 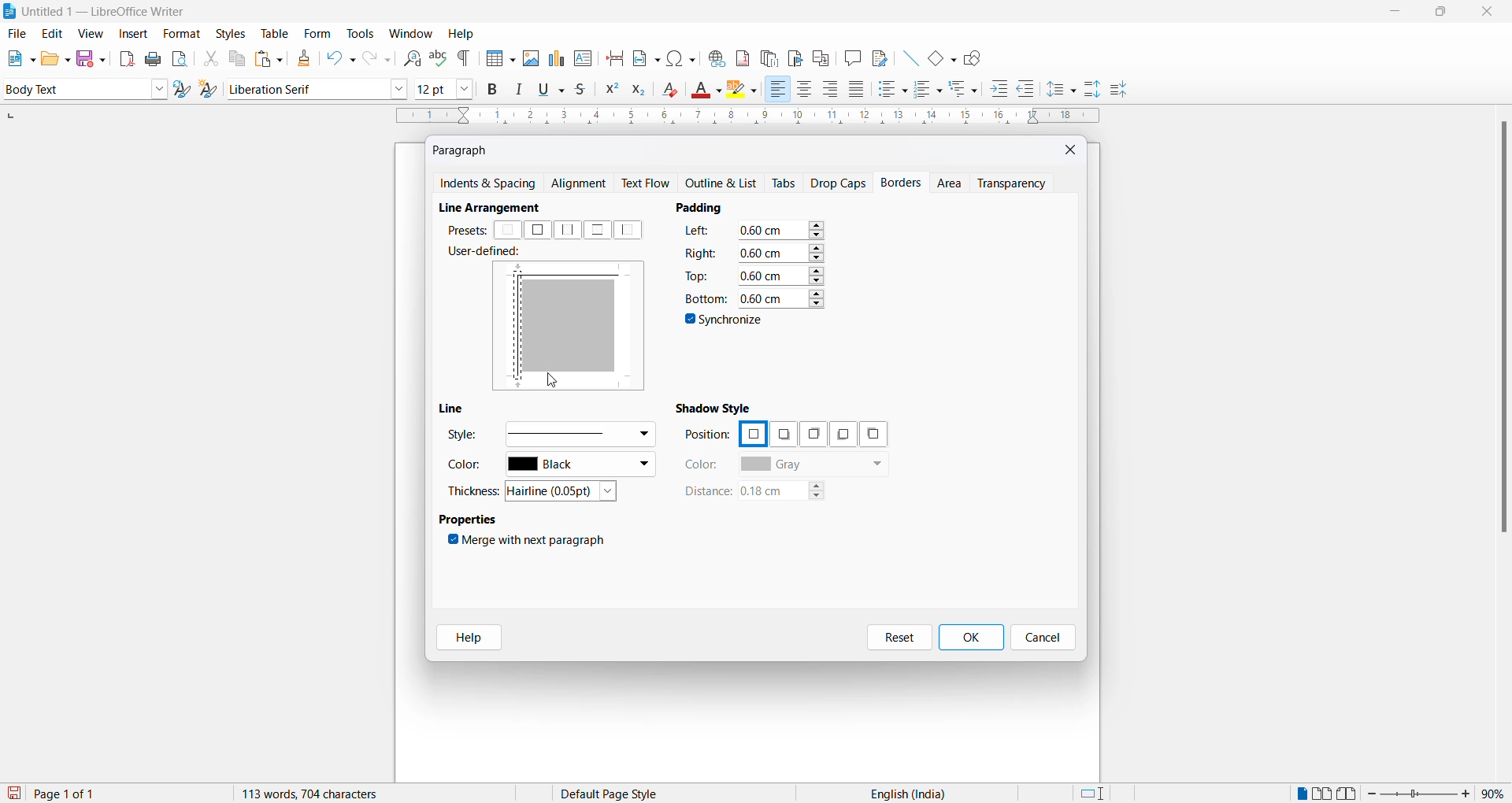 What do you see at coordinates (746, 117) in the screenshot?
I see `scaling` at bounding box center [746, 117].